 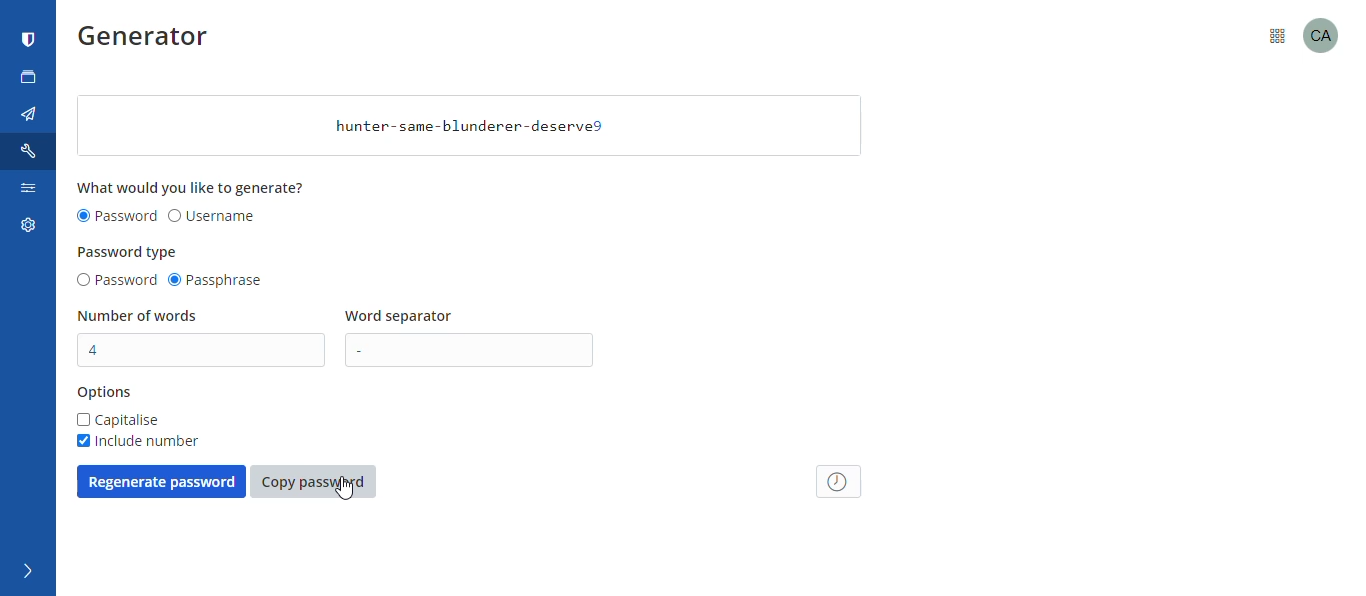 I want to click on menu, so click(x=1277, y=34).